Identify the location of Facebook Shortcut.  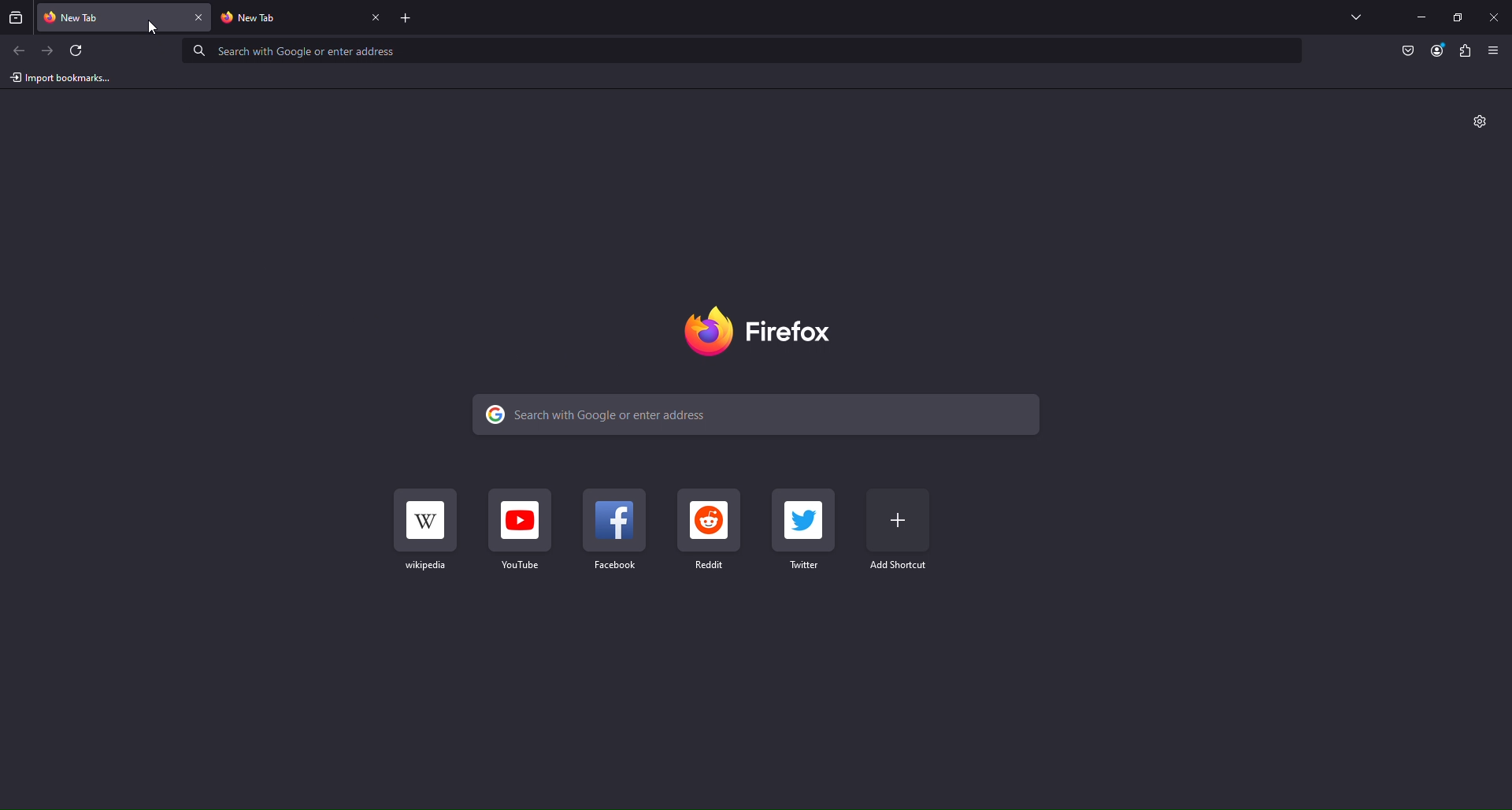
(616, 530).